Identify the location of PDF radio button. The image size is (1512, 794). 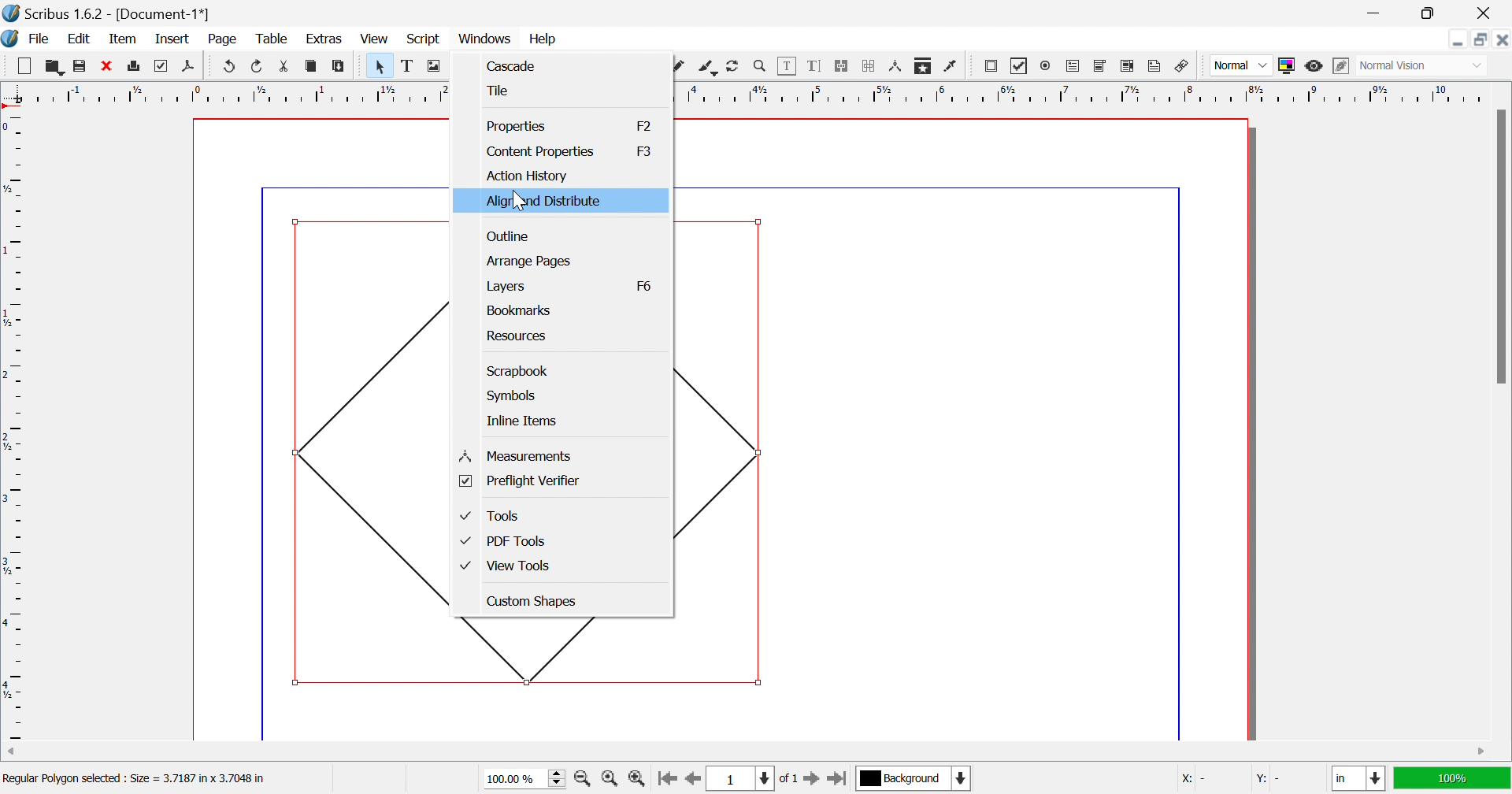
(1048, 64).